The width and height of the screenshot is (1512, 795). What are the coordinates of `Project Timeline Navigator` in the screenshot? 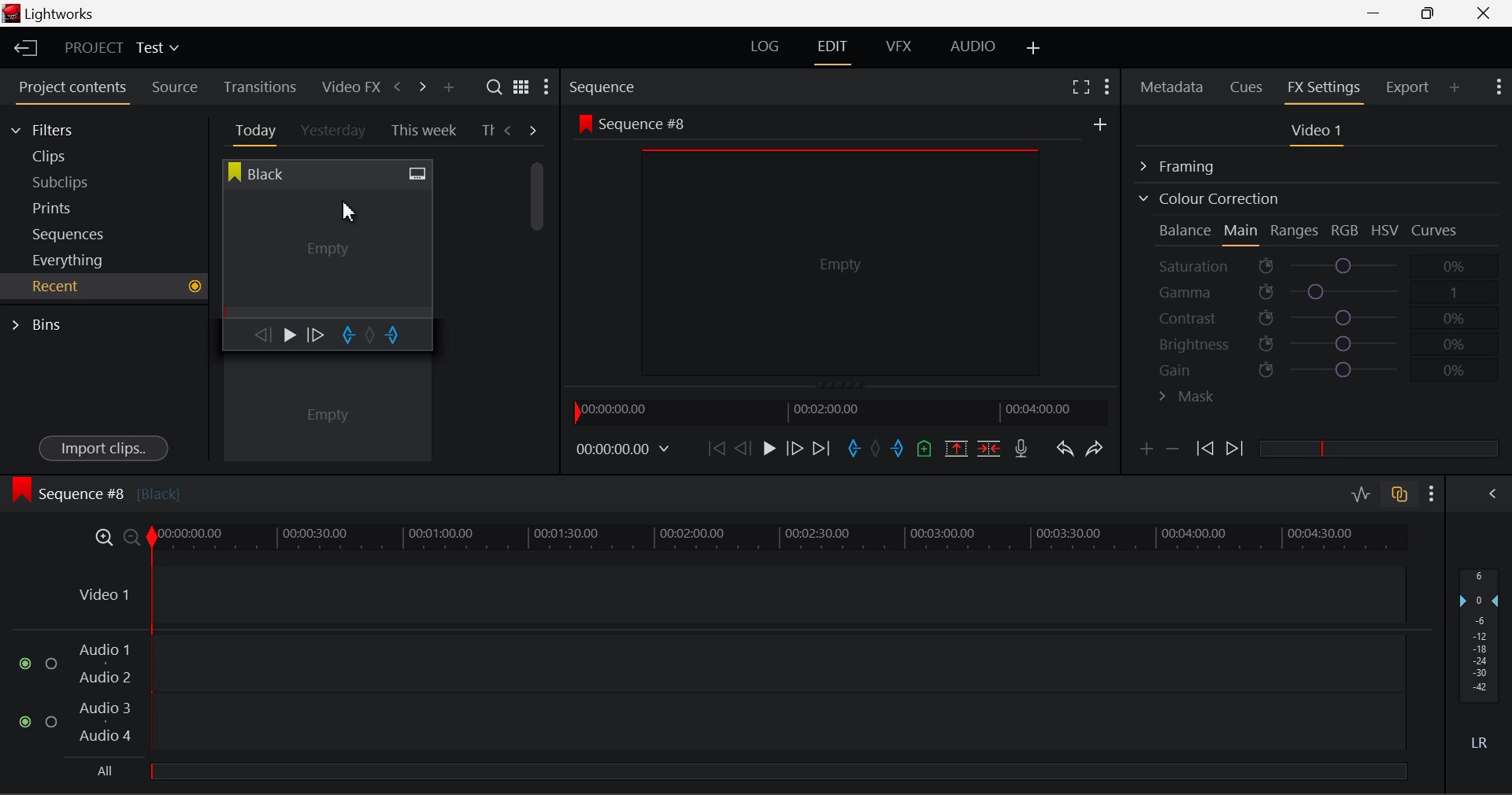 It's located at (838, 412).